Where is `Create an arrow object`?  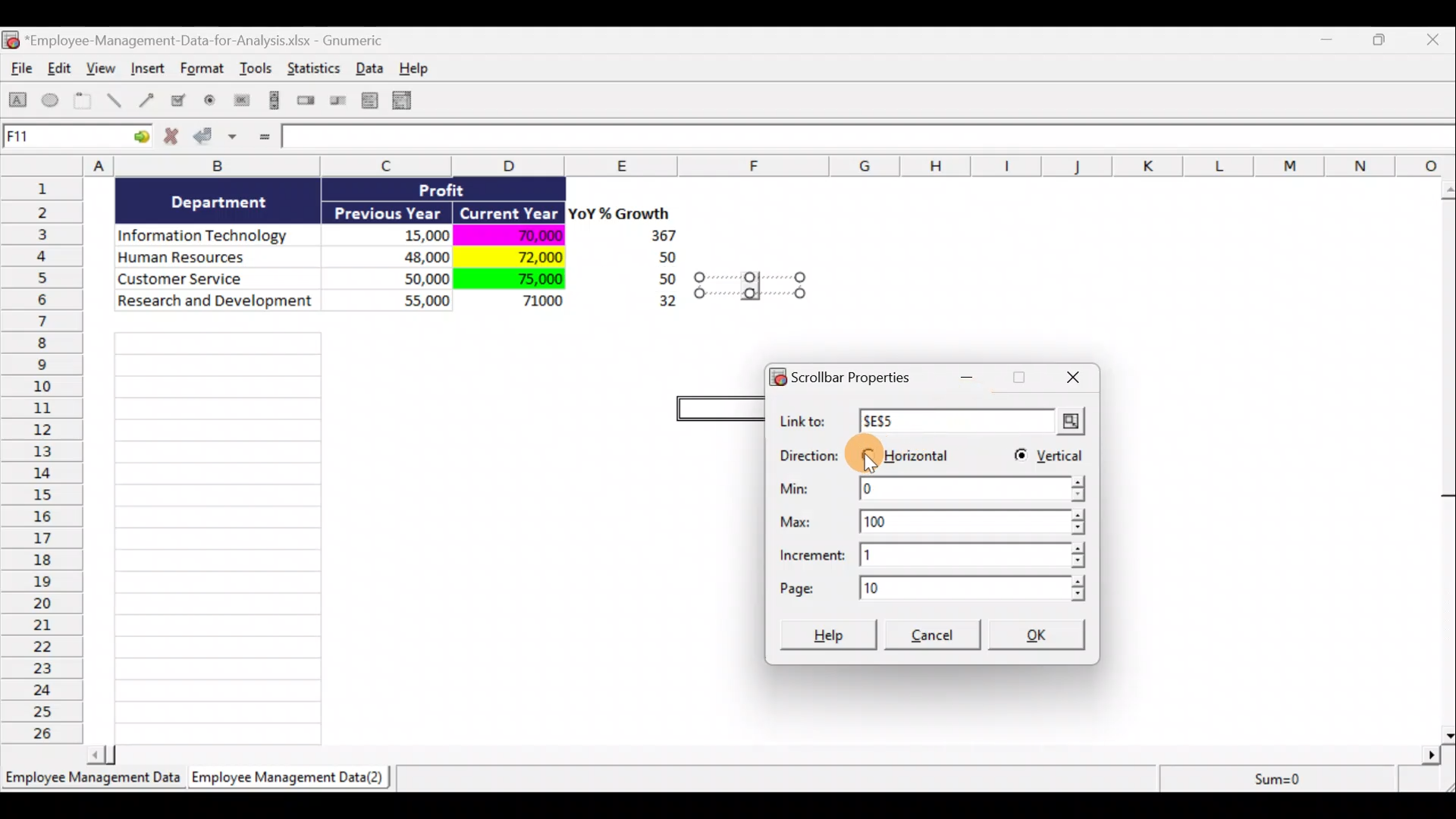 Create an arrow object is located at coordinates (146, 99).